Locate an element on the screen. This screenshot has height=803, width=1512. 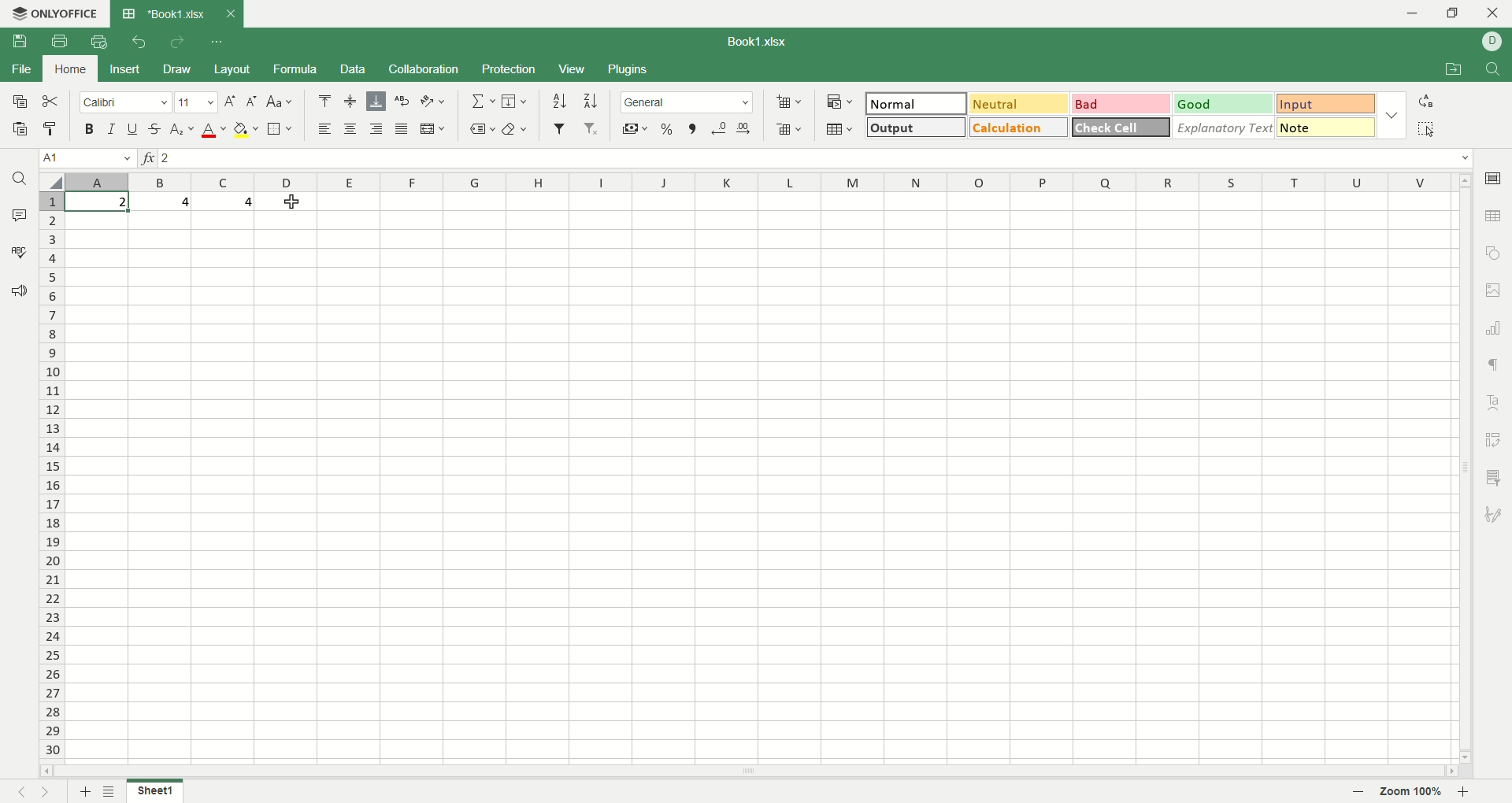
function is located at coordinates (145, 157).